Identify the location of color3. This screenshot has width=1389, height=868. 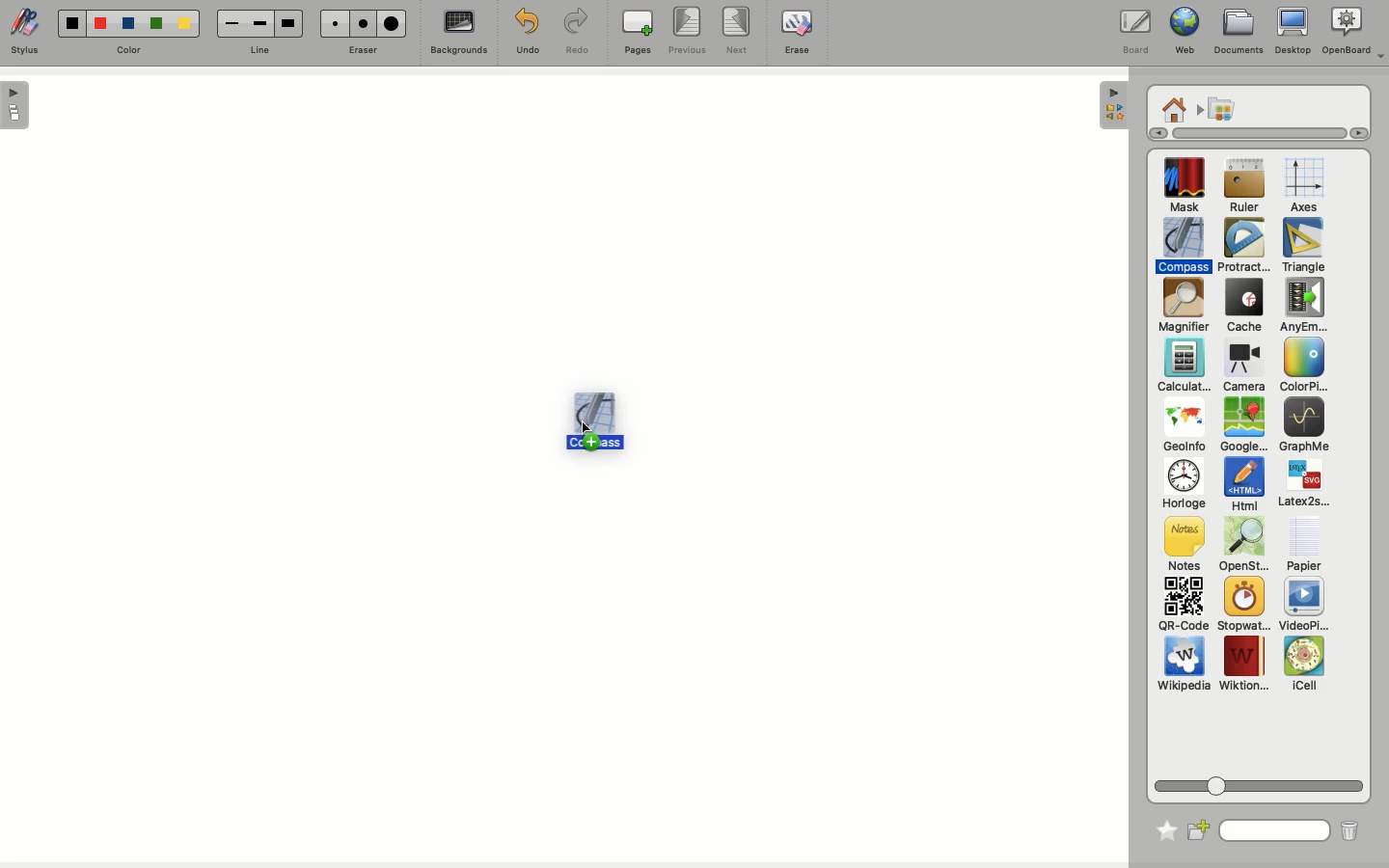
(127, 24).